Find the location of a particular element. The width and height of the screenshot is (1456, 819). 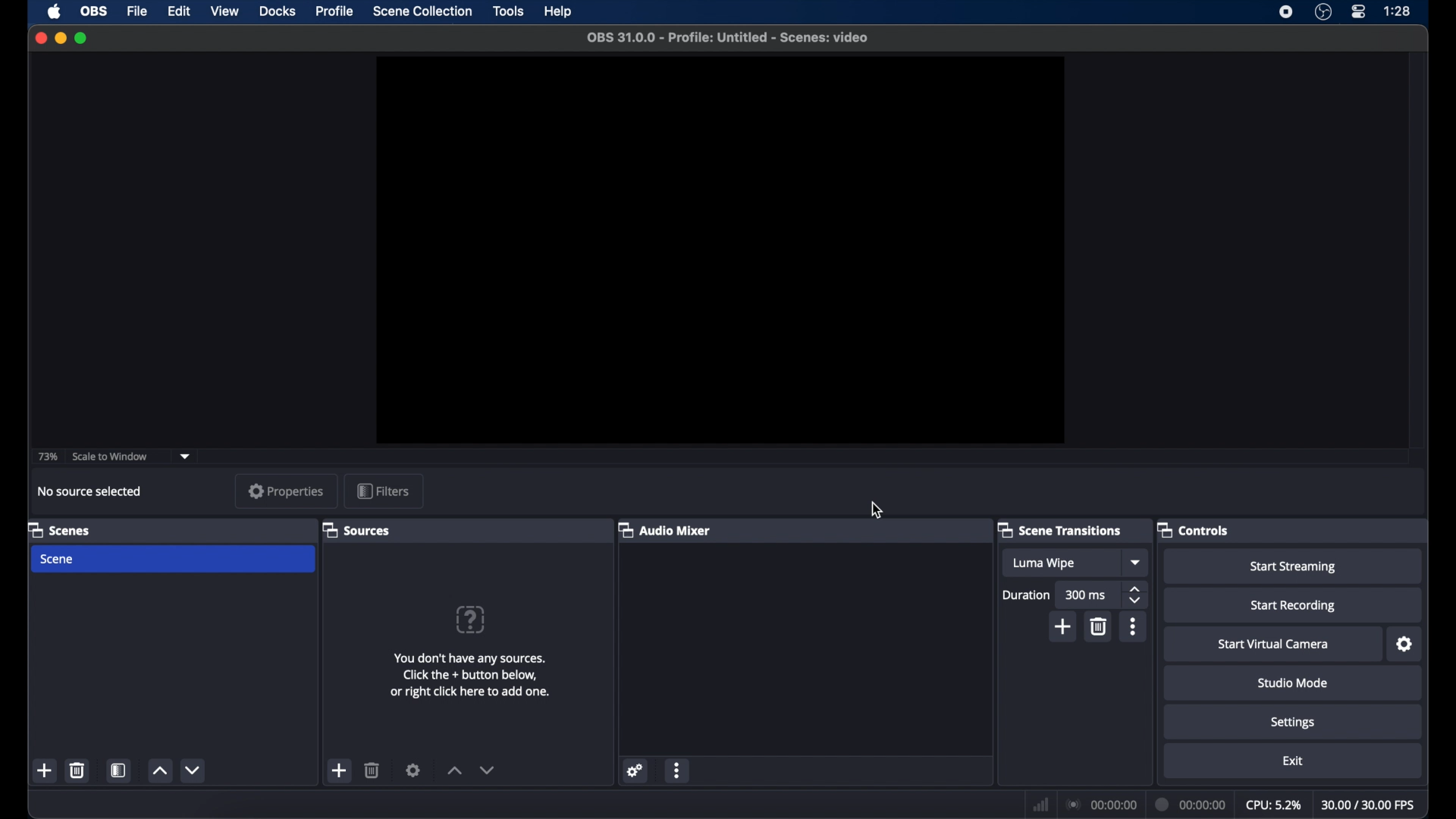

settings is located at coordinates (1403, 644).